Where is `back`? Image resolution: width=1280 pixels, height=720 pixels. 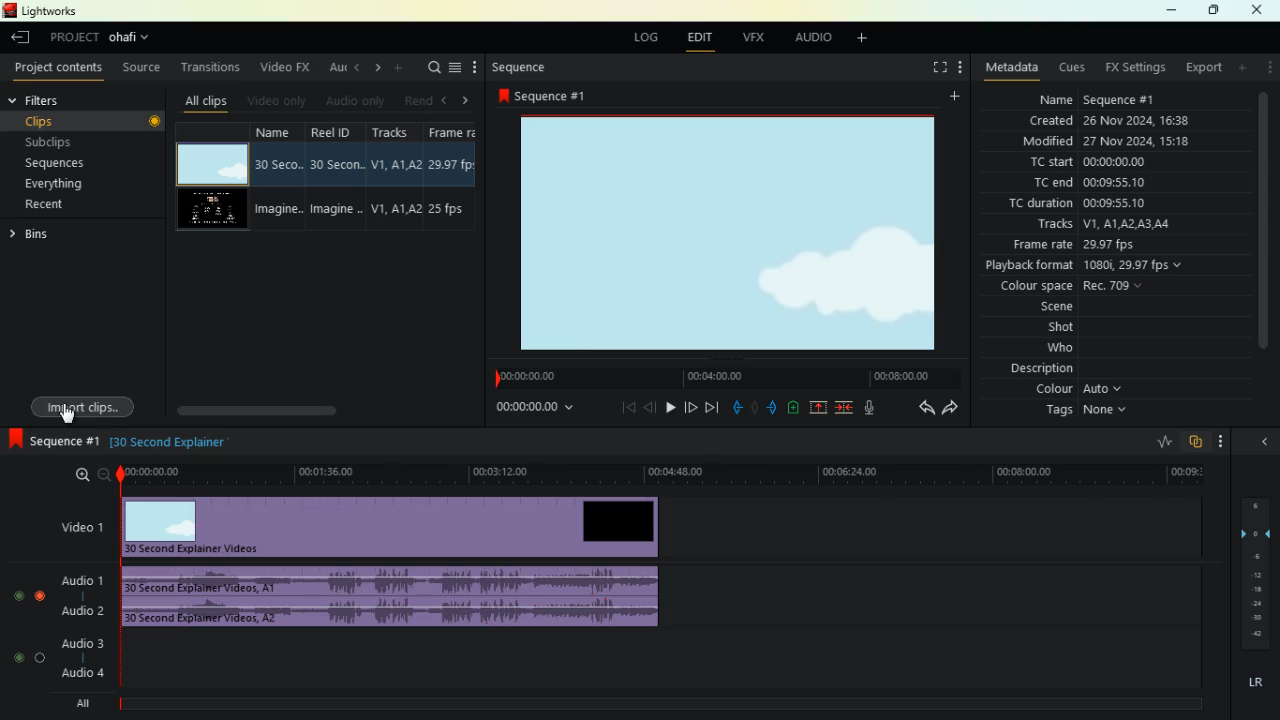
back is located at coordinates (920, 407).